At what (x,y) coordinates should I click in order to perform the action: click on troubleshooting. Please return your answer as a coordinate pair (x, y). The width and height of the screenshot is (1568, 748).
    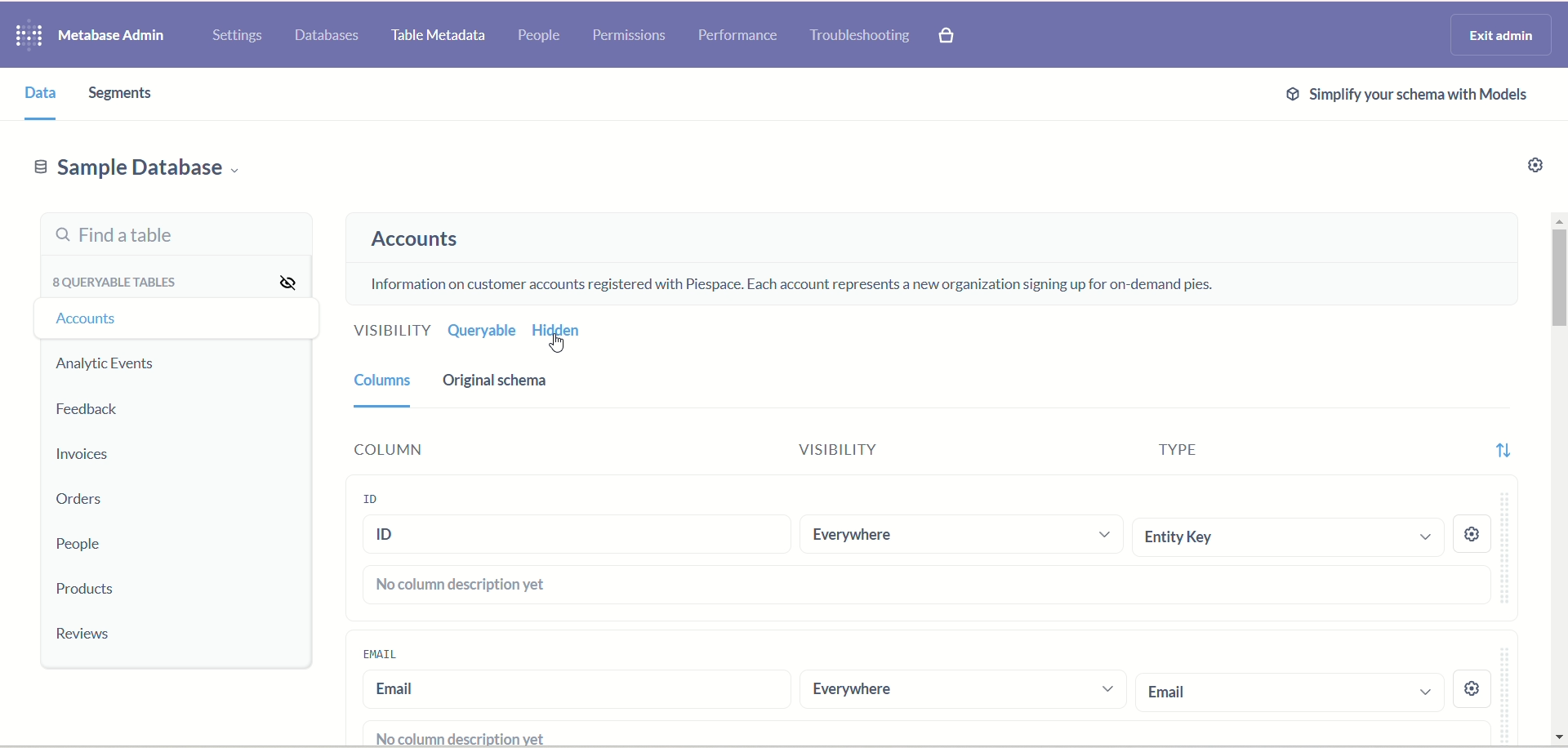
    Looking at the image, I should click on (864, 38).